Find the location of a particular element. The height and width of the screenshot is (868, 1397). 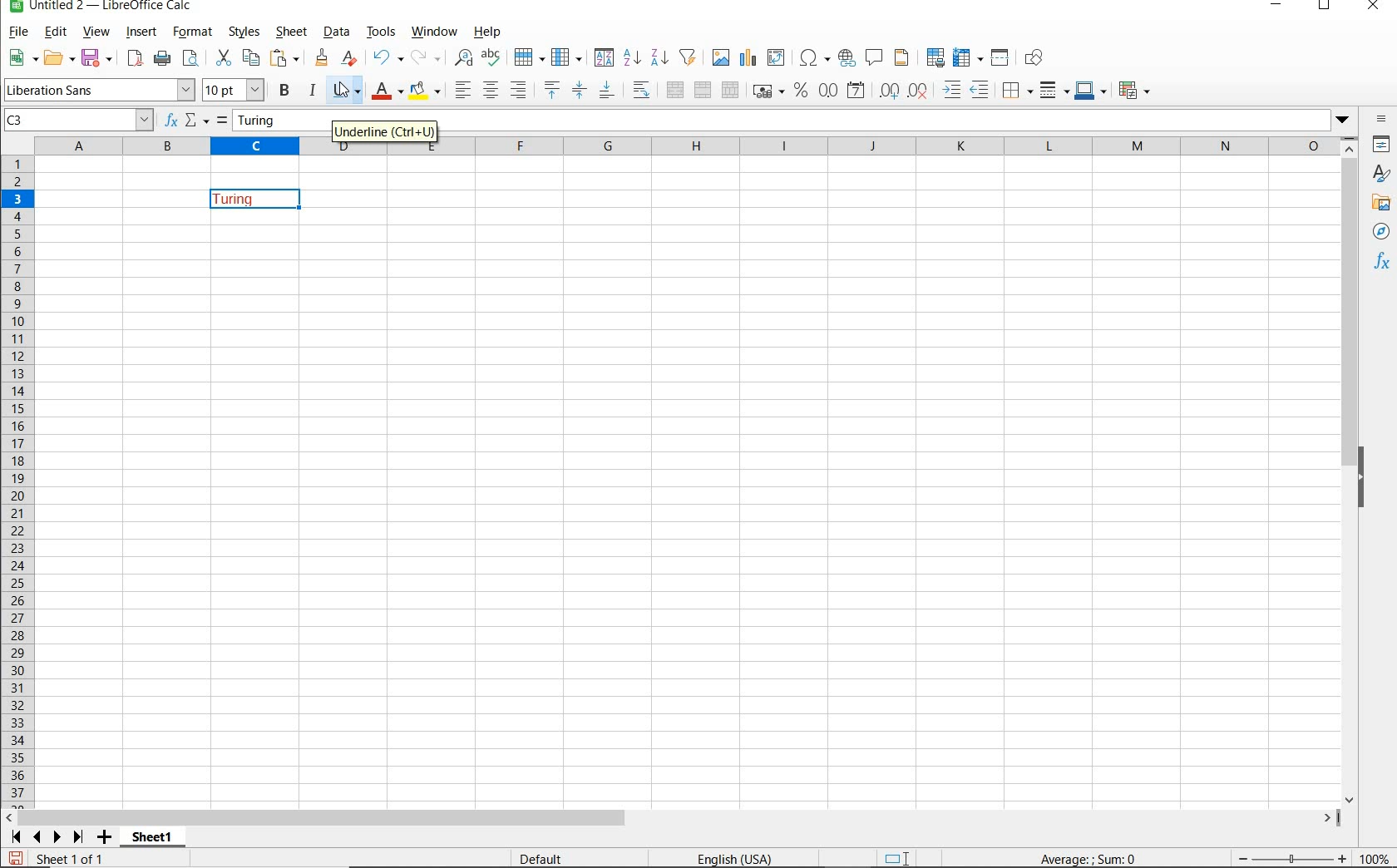

TEXT is located at coordinates (239, 199).